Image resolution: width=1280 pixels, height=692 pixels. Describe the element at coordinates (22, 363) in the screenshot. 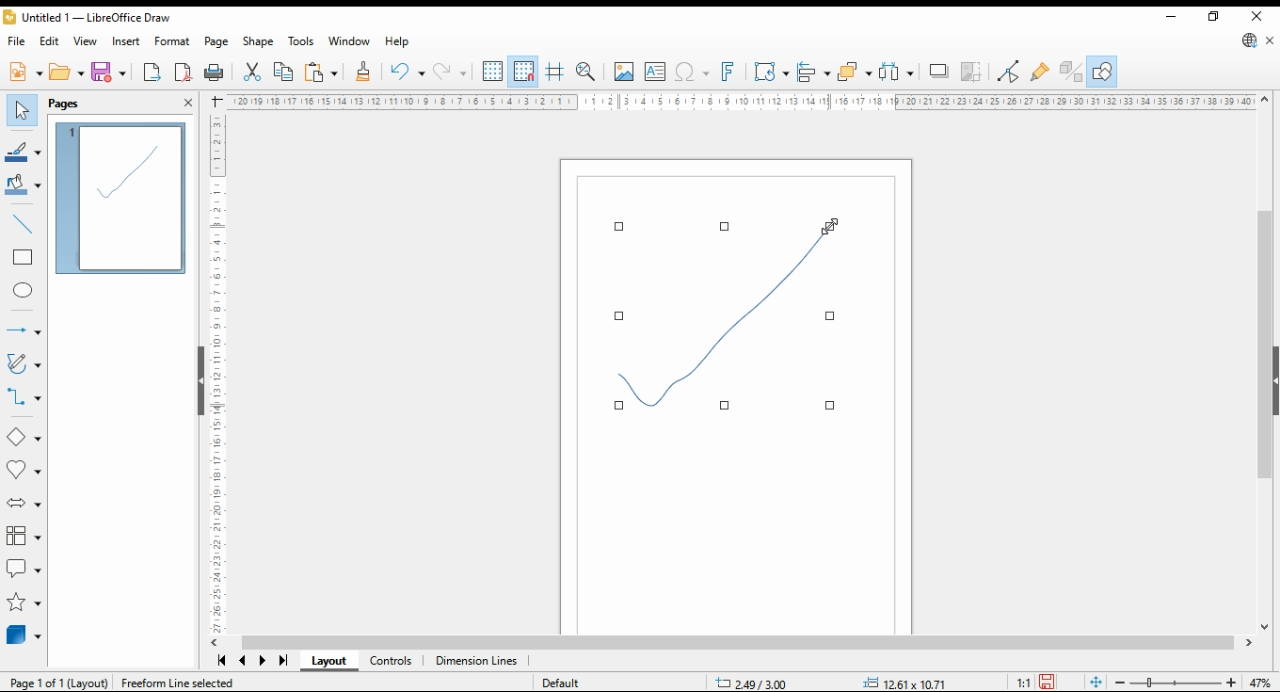

I see `curves and polygons` at that location.